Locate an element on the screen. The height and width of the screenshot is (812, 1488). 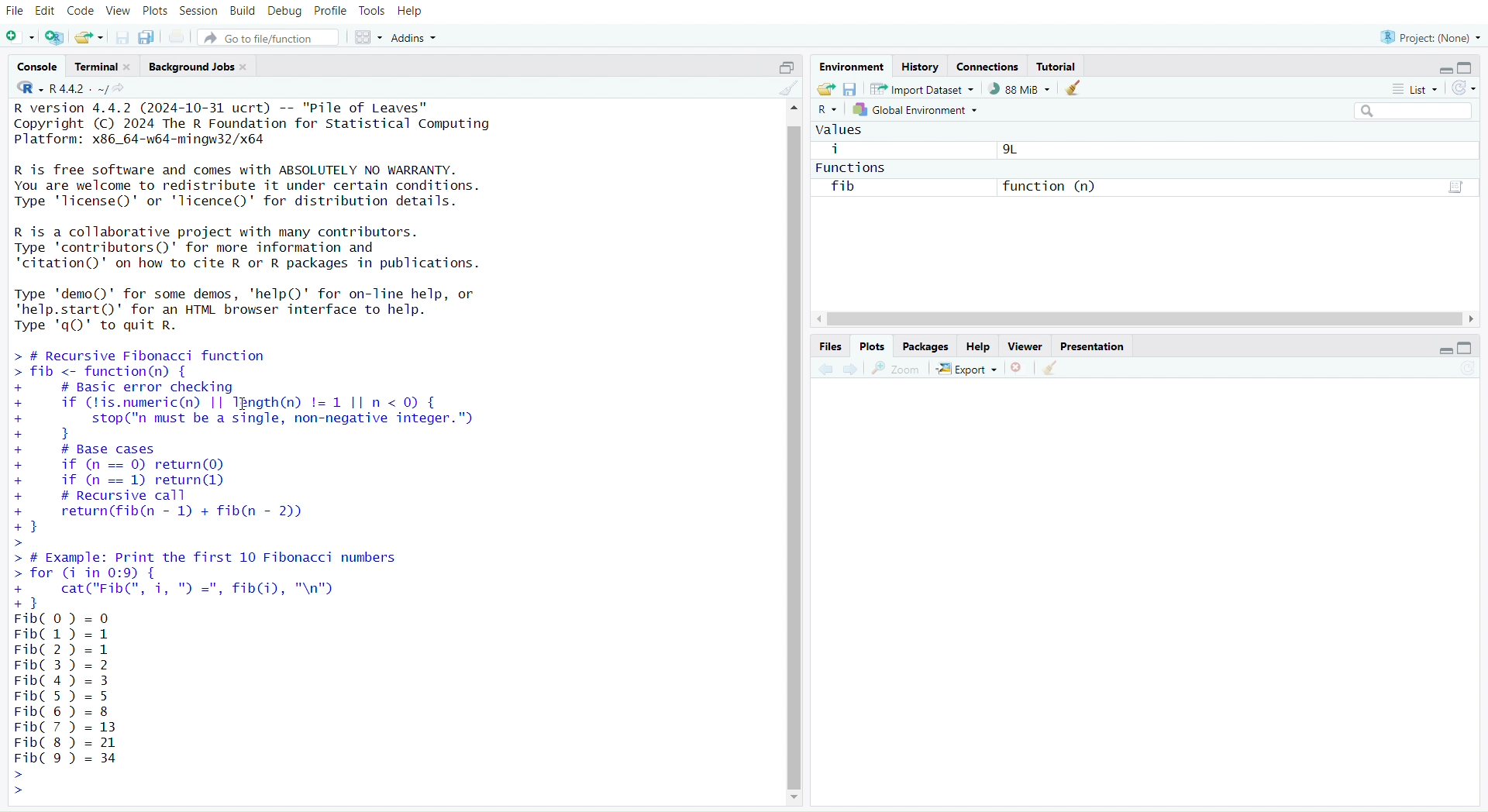
console is located at coordinates (40, 67).